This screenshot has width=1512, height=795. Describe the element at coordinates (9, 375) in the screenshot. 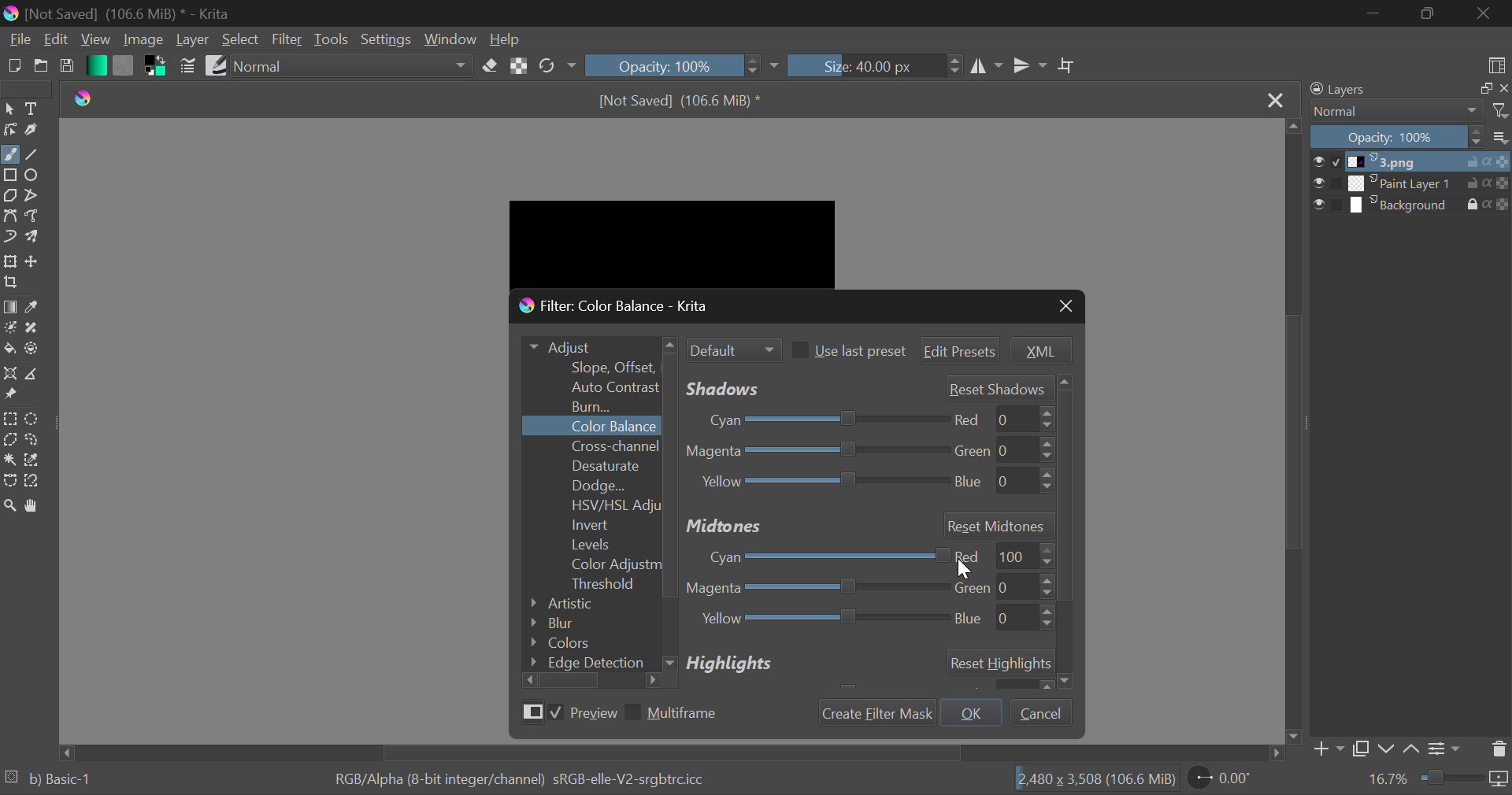

I see `Assistant Tool` at that location.